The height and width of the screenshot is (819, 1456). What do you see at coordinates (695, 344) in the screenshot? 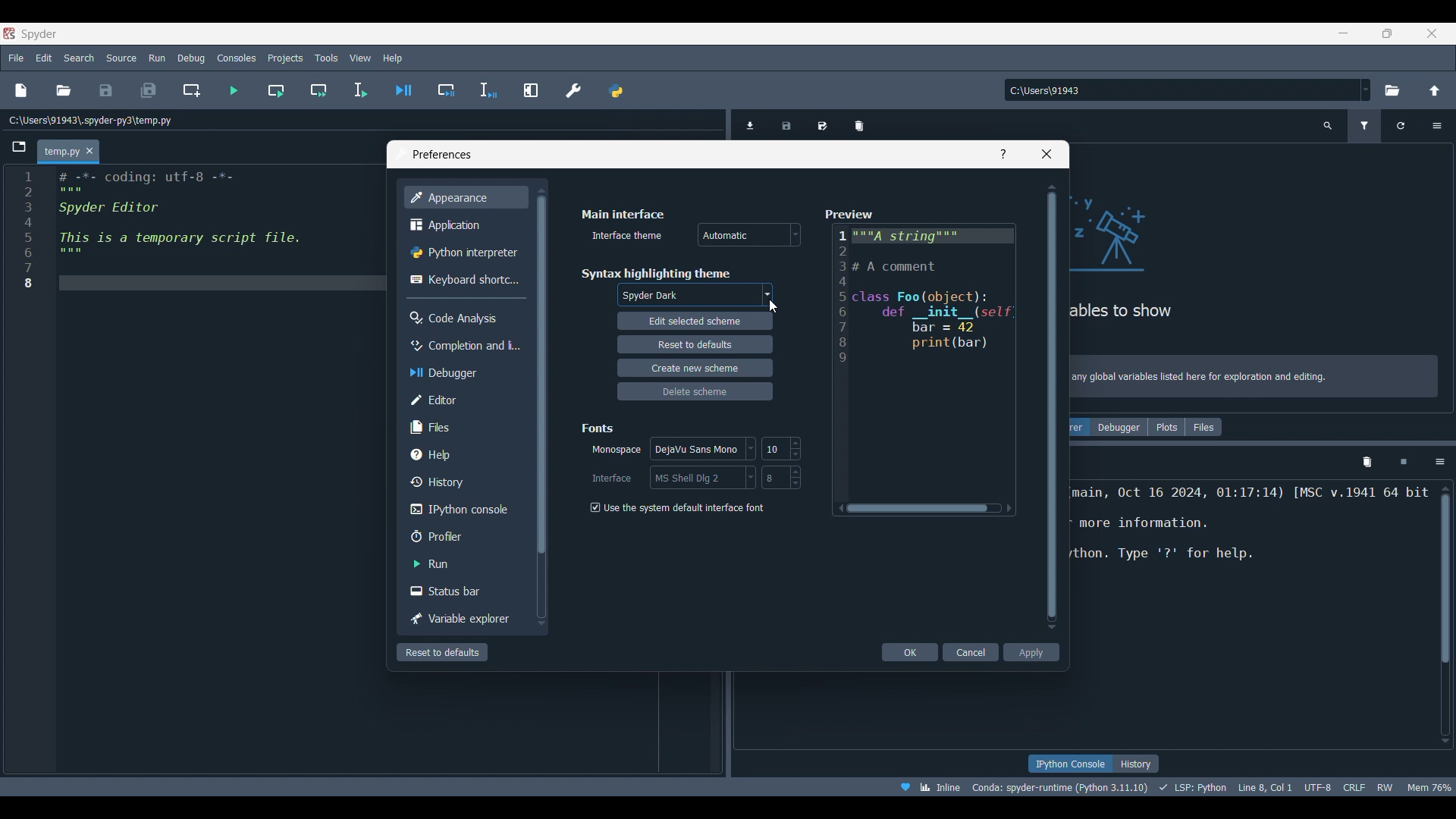
I see `reset to defaults` at bounding box center [695, 344].